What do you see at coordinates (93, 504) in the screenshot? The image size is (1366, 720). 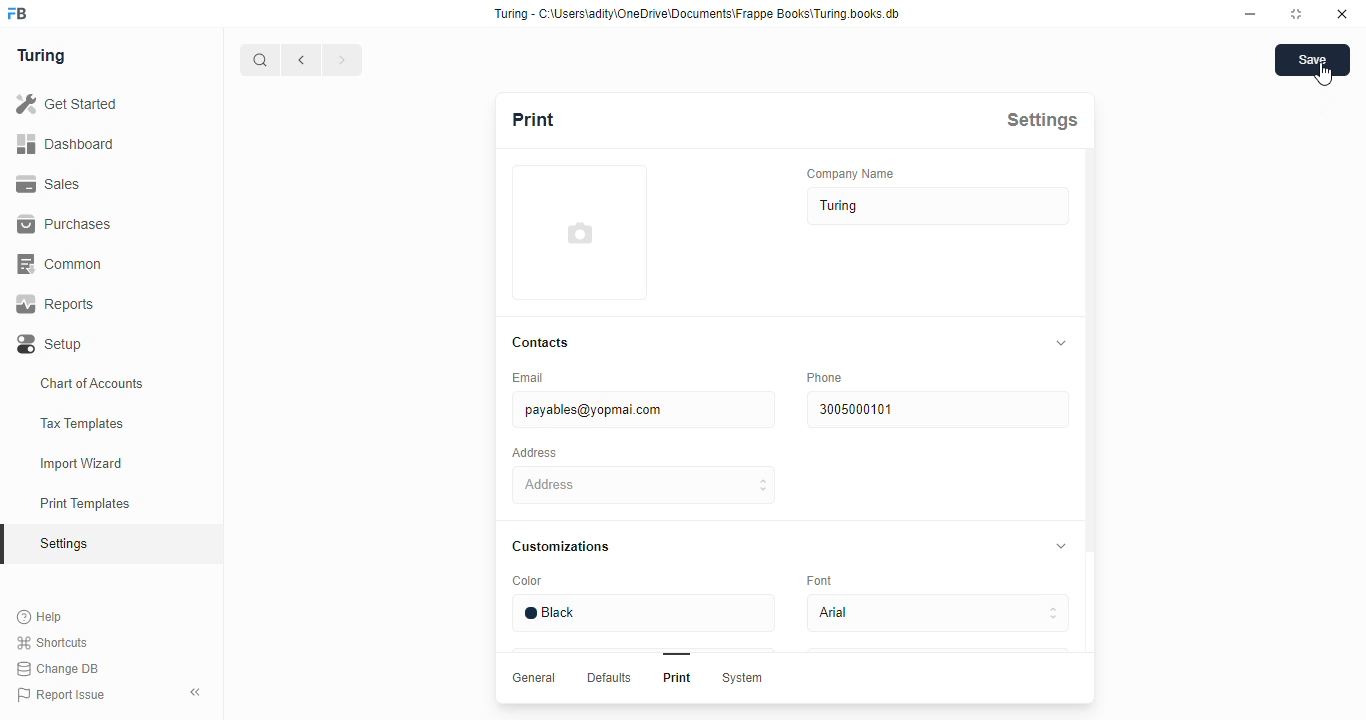 I see `Print Templates` at bounding box center [93, 504].